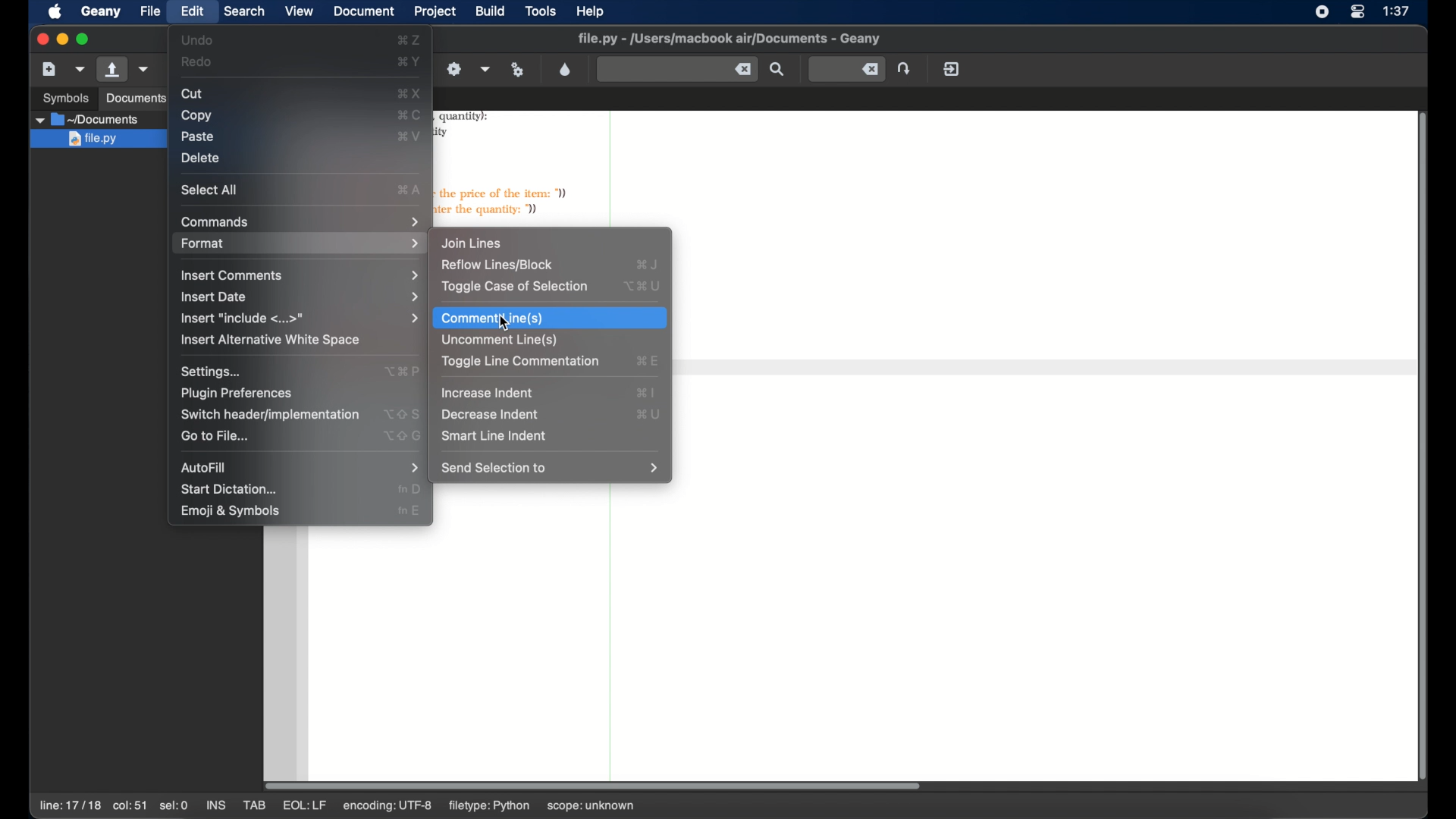 This screenshot has height=819, width=1456. Describe the element at coordinates (1417, 444) in the screenshot. I see `scroll bar` at that location.